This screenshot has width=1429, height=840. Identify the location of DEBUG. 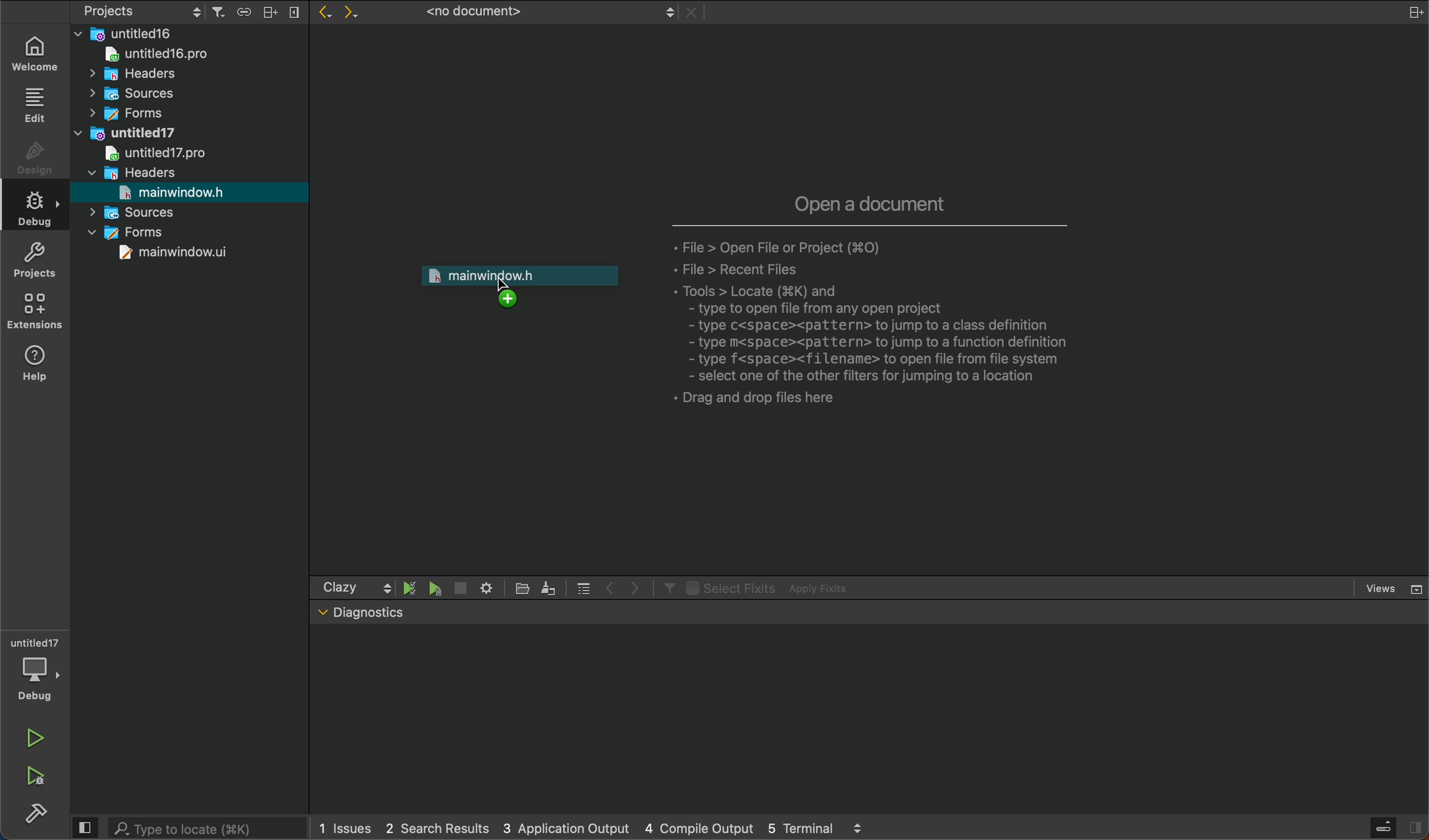
(39, 211).